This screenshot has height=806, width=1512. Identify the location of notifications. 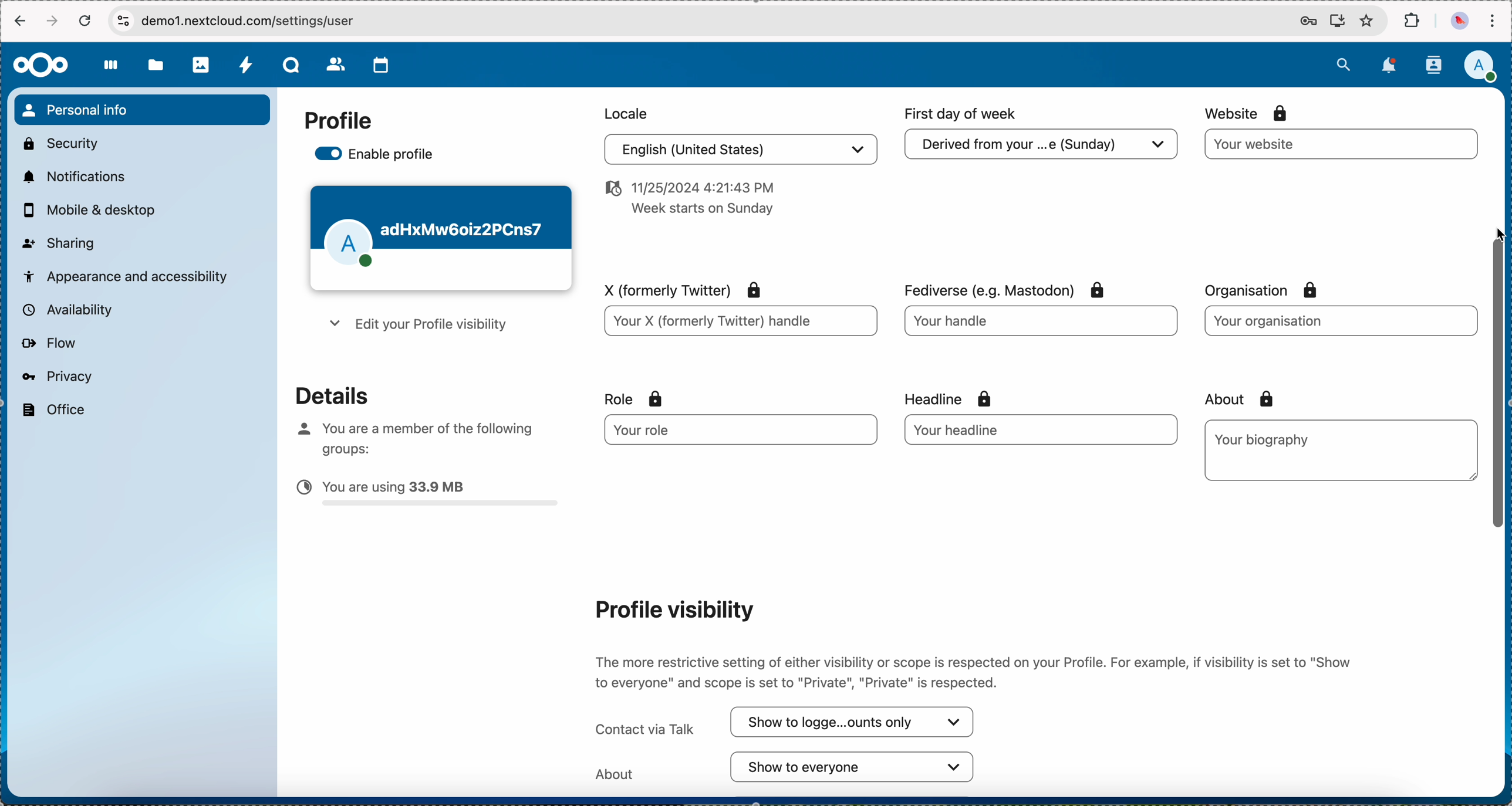
(72, 176).